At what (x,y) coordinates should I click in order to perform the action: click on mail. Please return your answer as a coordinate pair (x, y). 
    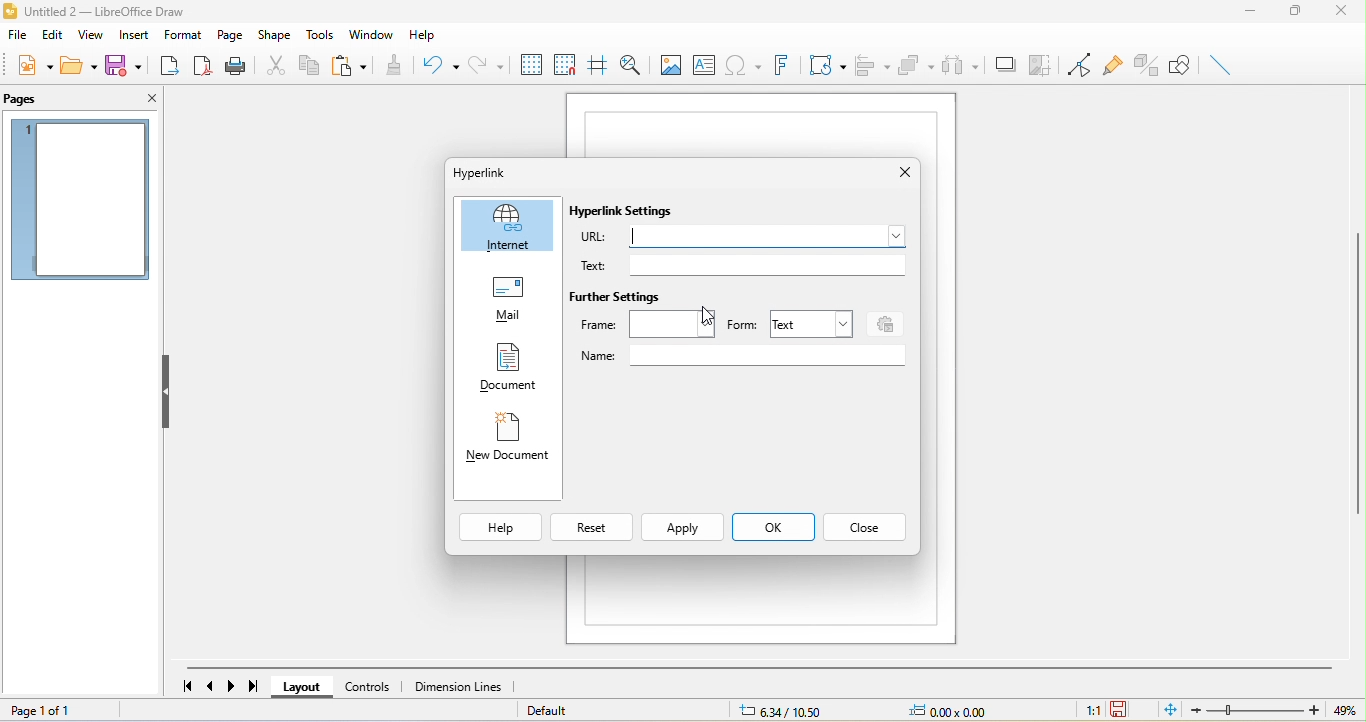
    Looking at the image, I should click on (506, 297).